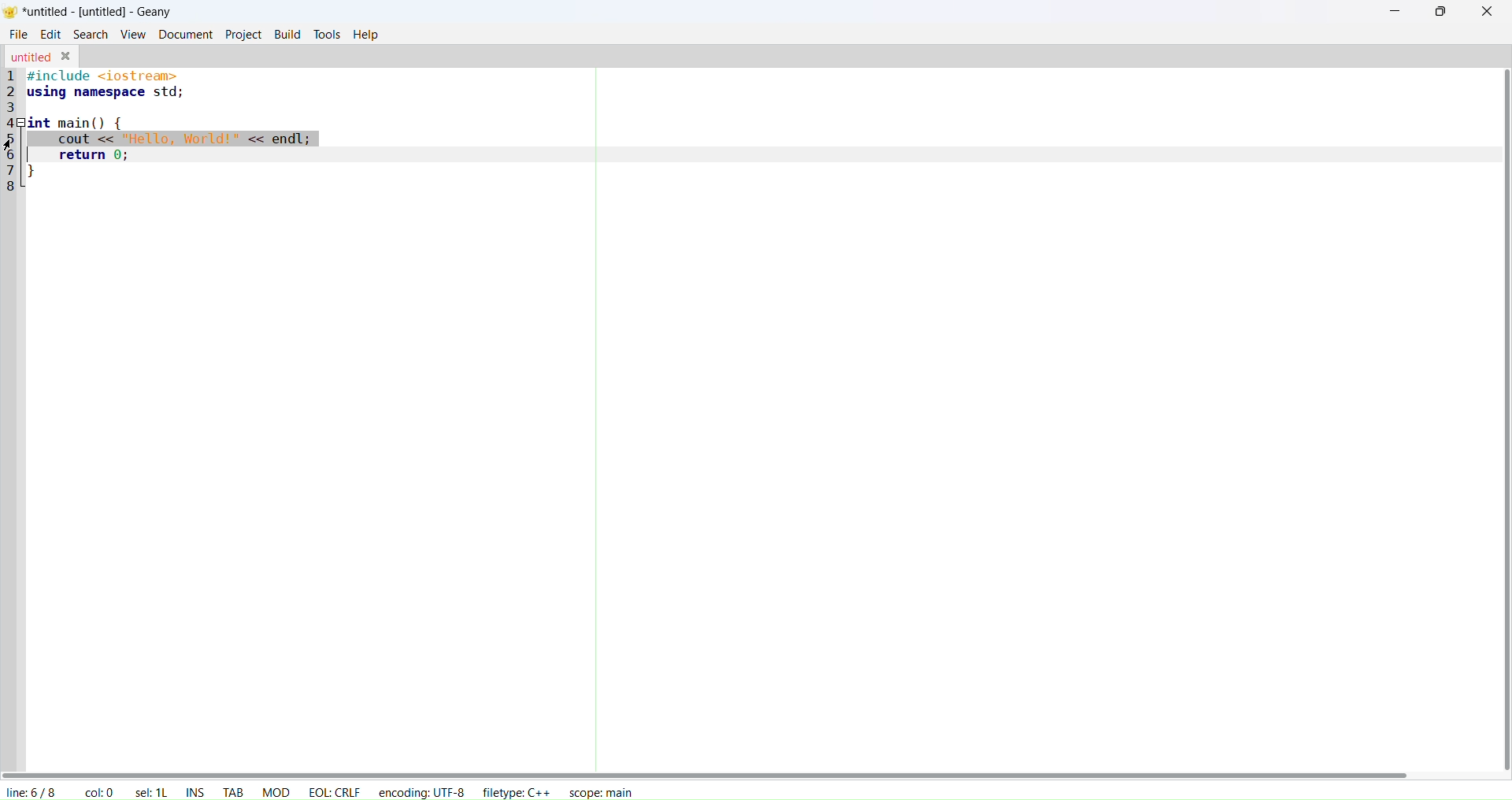  I want to click on filetype: C++, so click(517, 792).